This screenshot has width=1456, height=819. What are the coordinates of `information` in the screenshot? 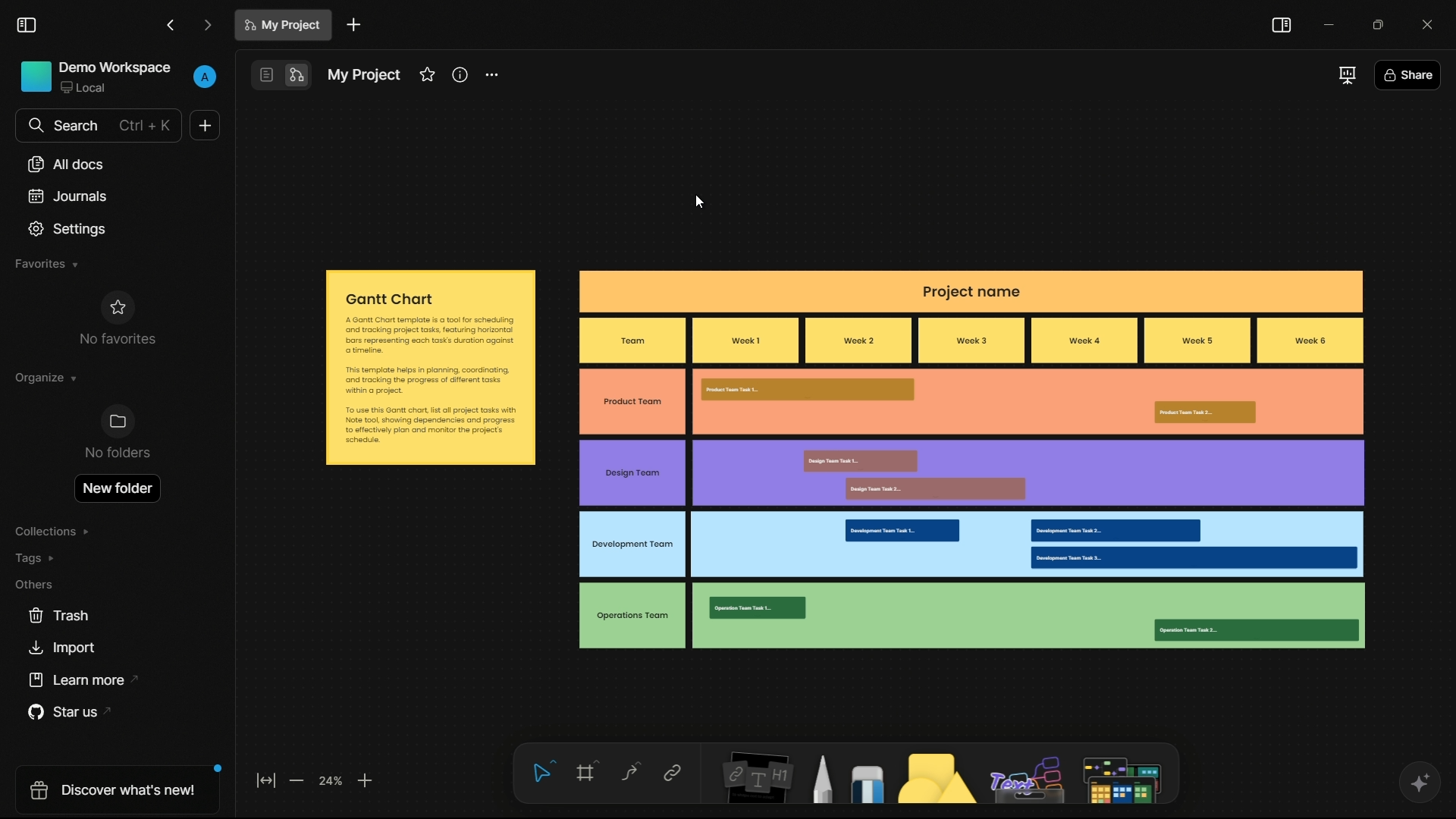 It's located at (461, 75).